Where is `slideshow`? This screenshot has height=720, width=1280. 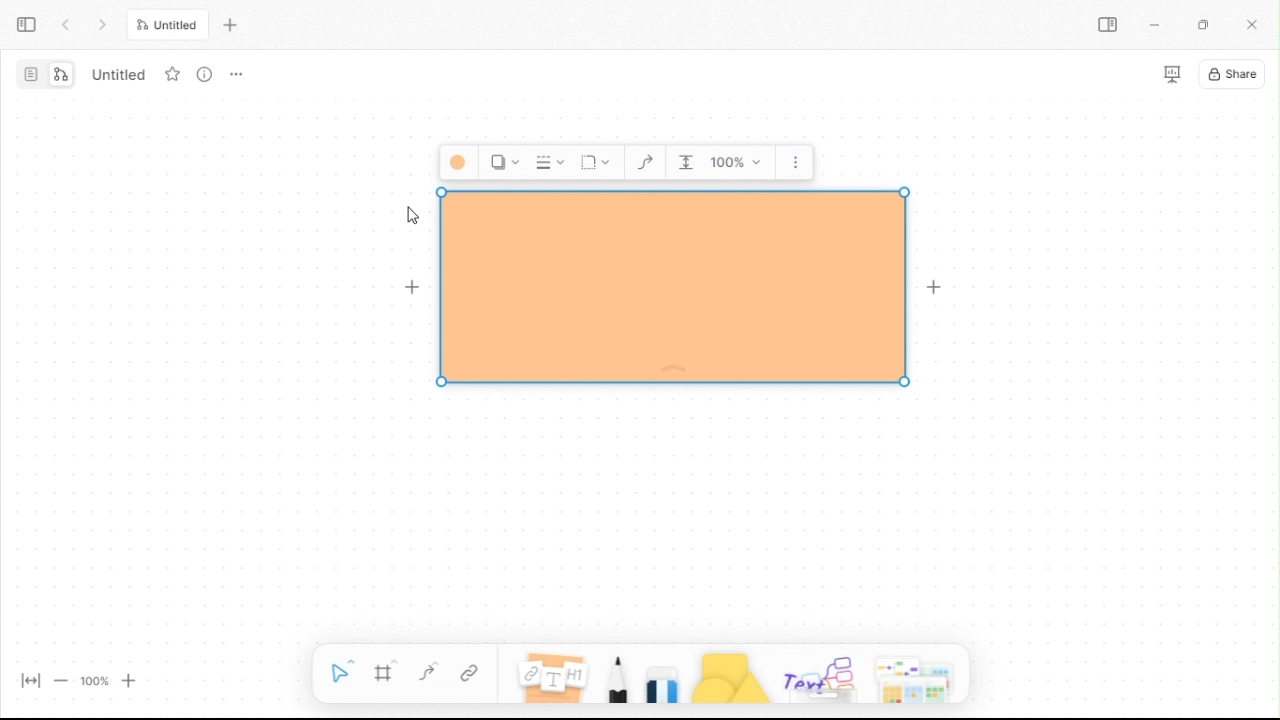 slideshow is located at coordinates (1169, 73).